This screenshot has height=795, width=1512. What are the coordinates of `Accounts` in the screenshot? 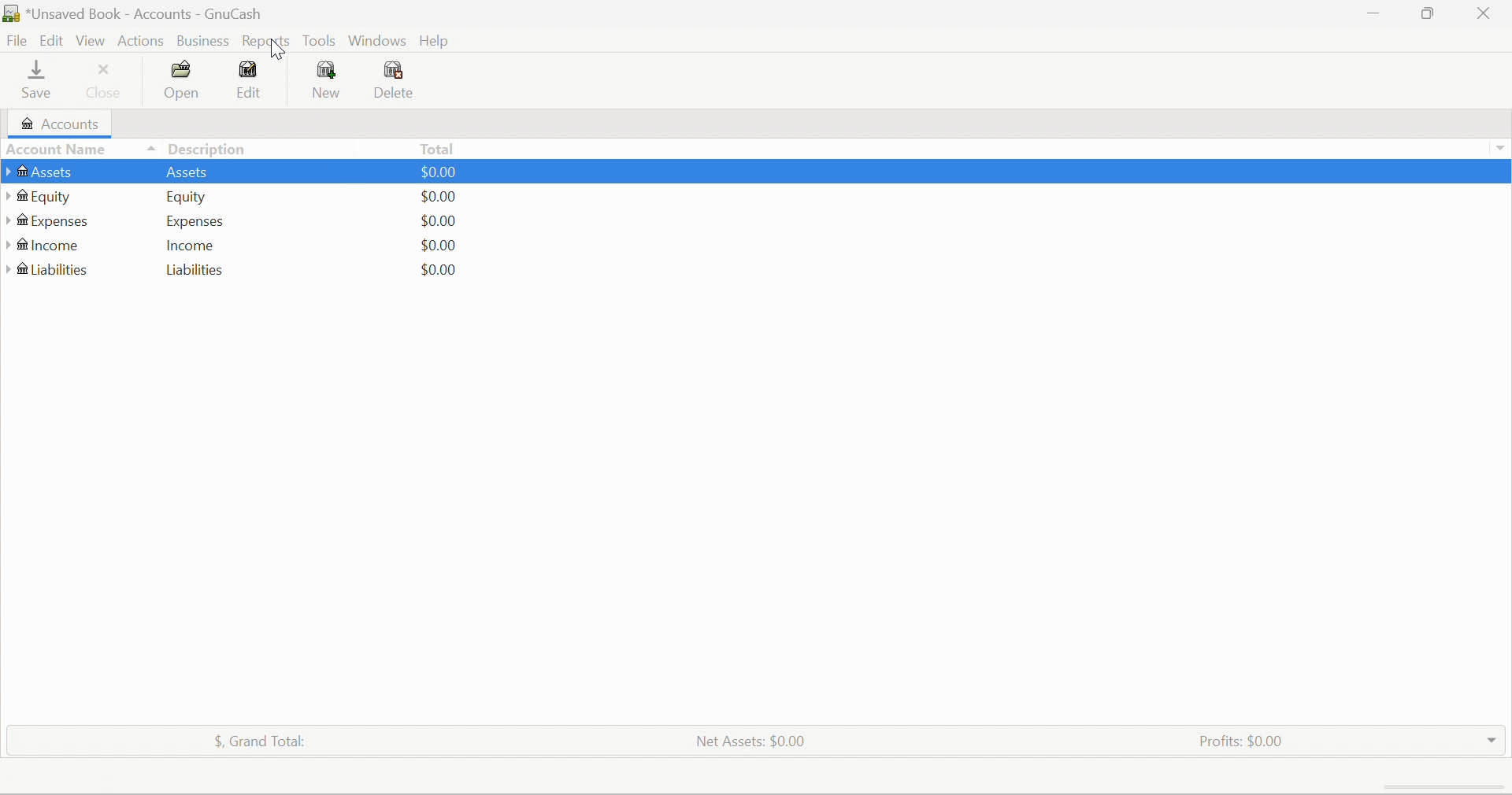 It's located at (59, 124).